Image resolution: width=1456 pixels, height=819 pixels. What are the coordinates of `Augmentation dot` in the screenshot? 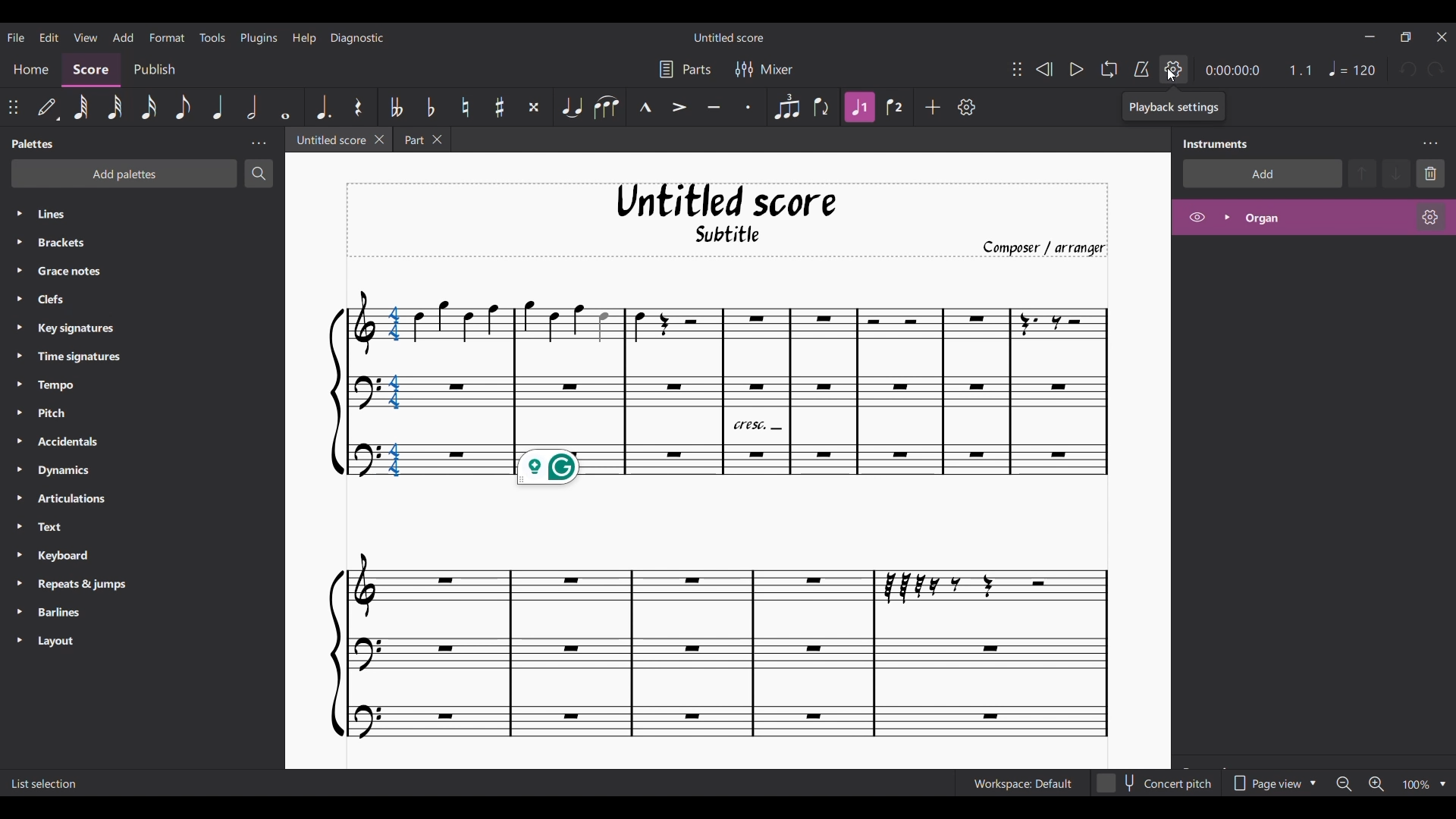 It's located at (322, 107).